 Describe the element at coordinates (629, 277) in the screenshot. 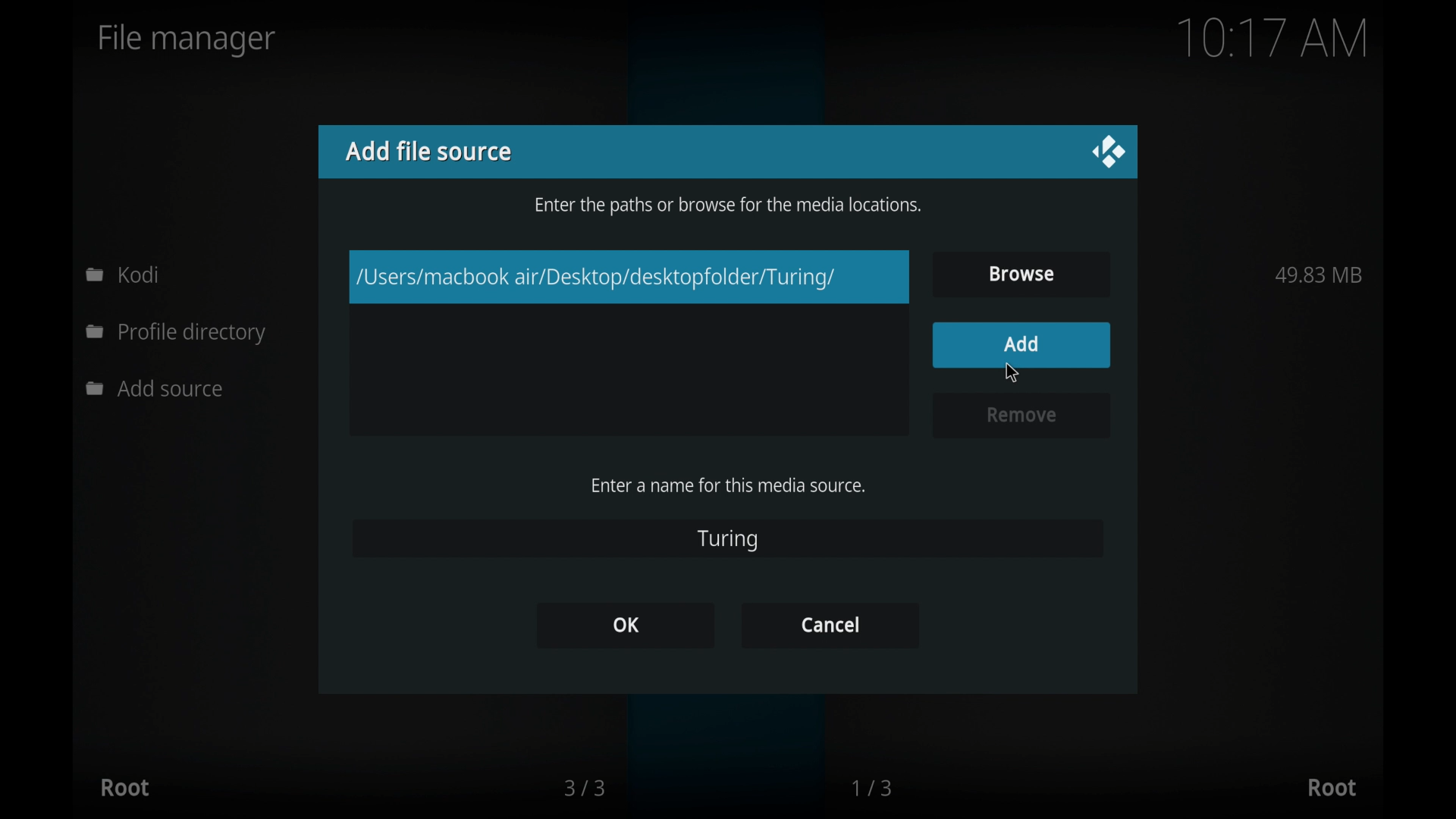

I see `/Users/macbook air/Desktop/desktopfolder/Turing/` at that location.